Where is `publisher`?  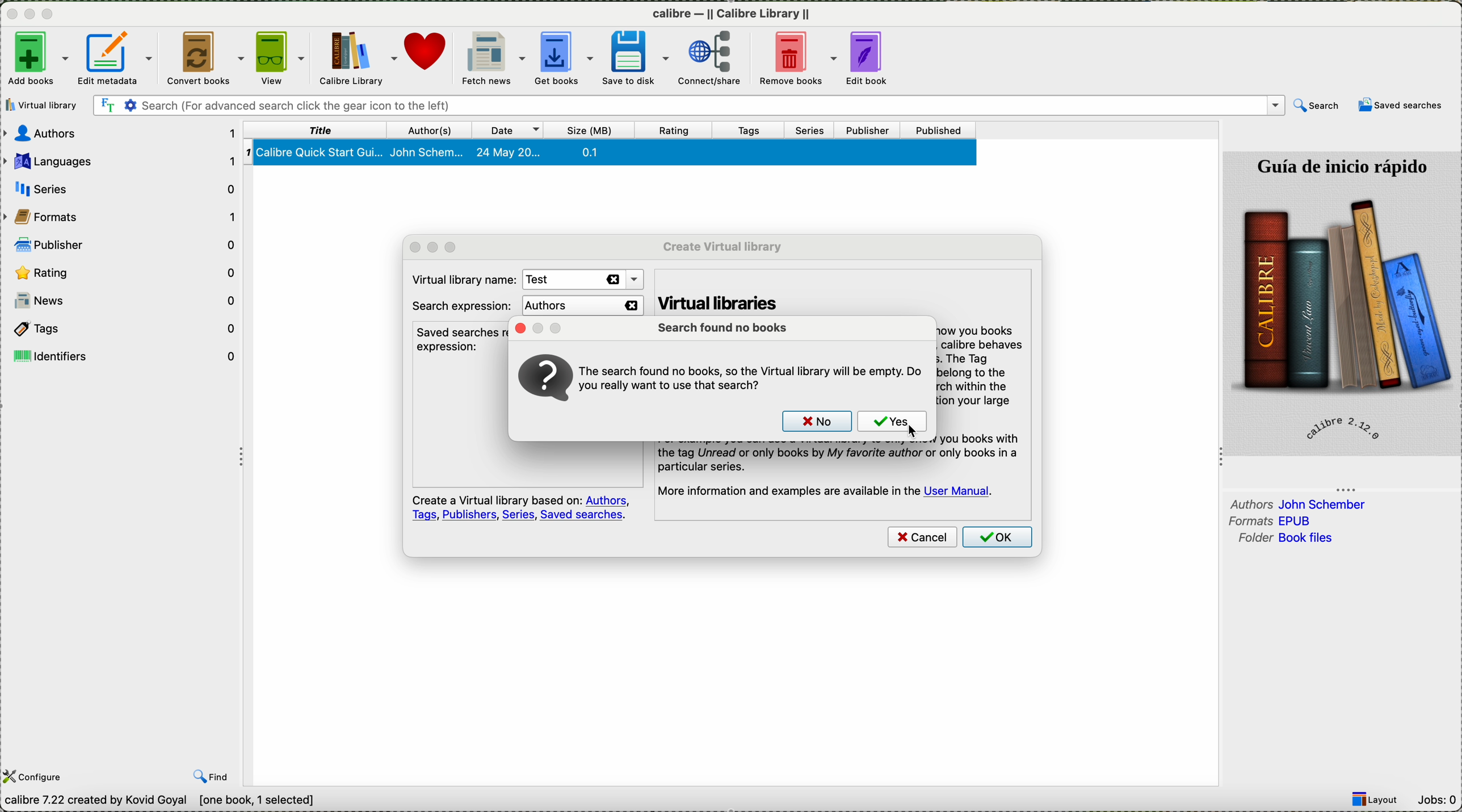 publisher is located at coordinates (869, 130).